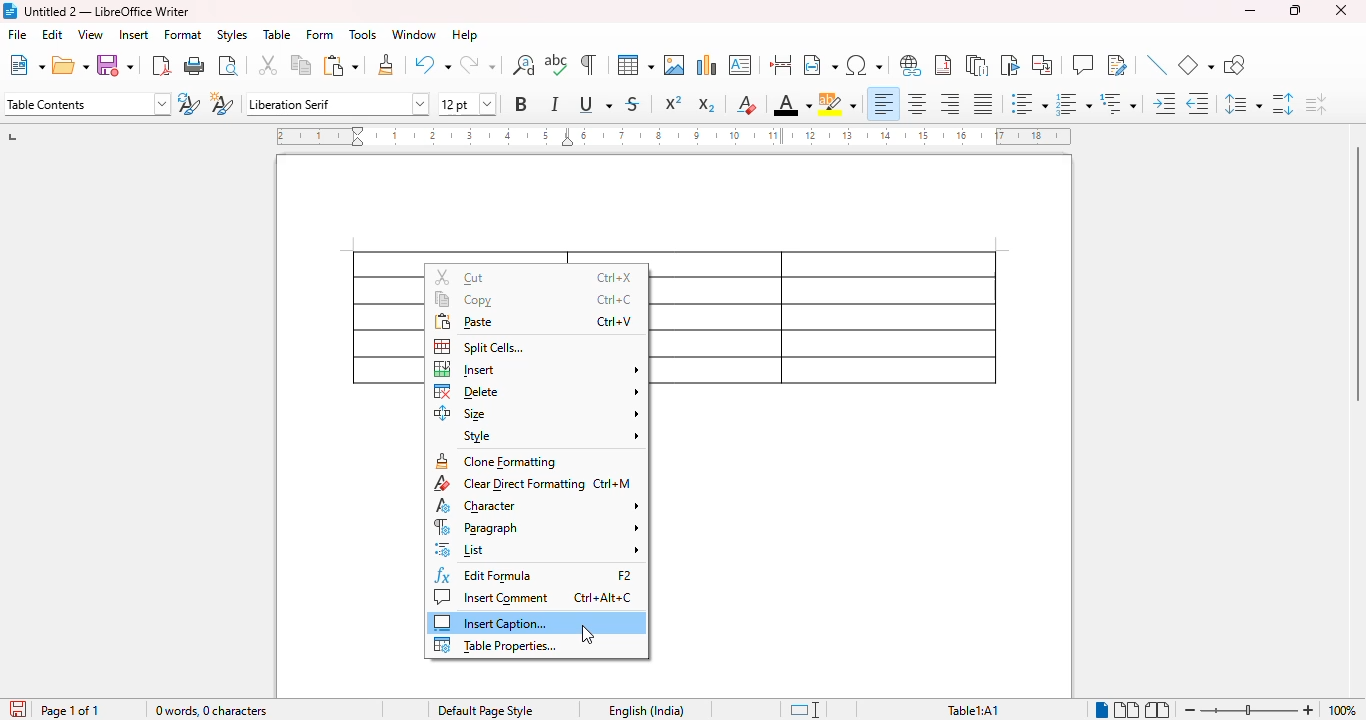 The image size is (1366, 720). Describe the element at coordinates (135, 35) in the screenshot. I see `insert` at that location.